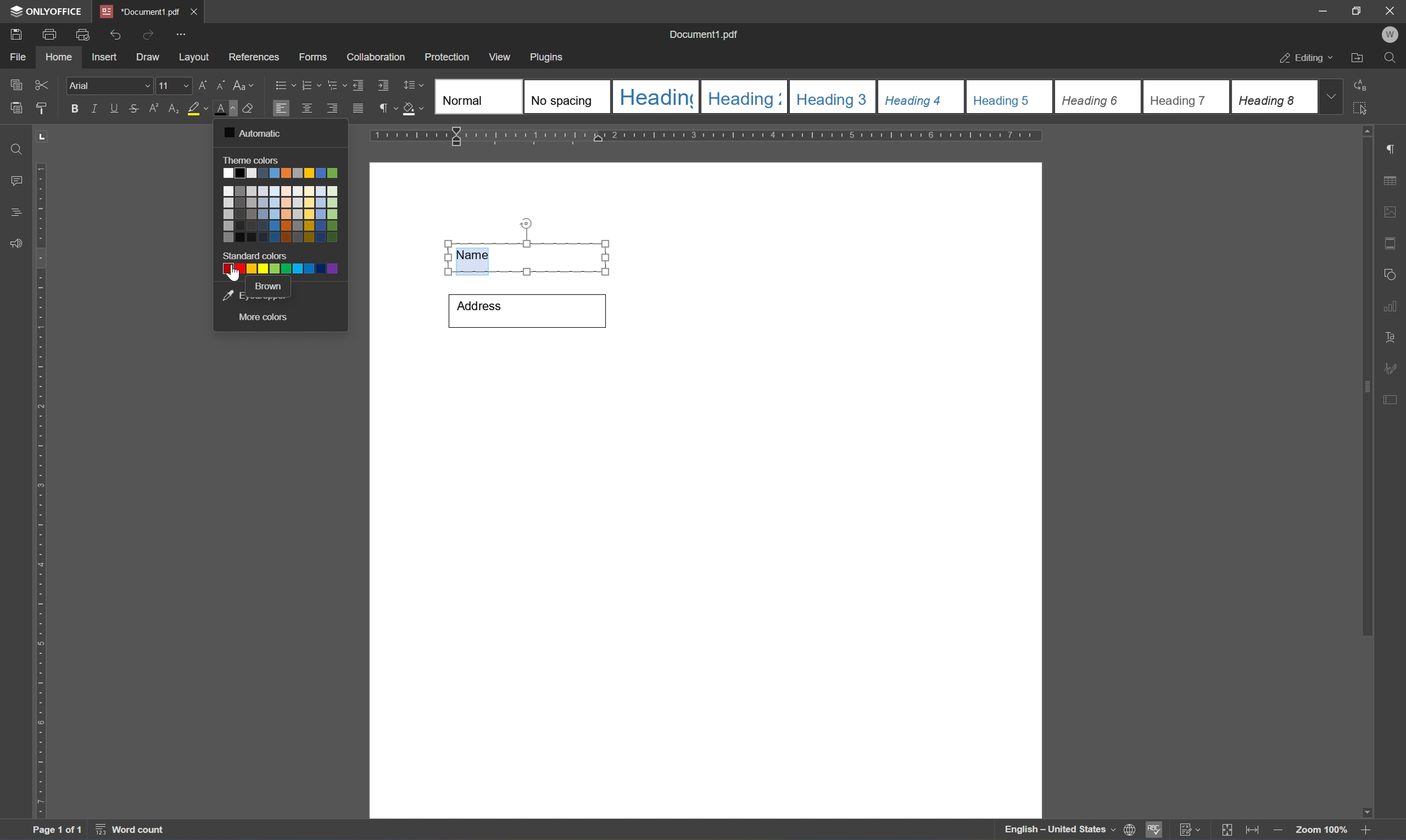  Describe the element at coordinates (80, 33) in the screenshot. I see `quick print` at that location.